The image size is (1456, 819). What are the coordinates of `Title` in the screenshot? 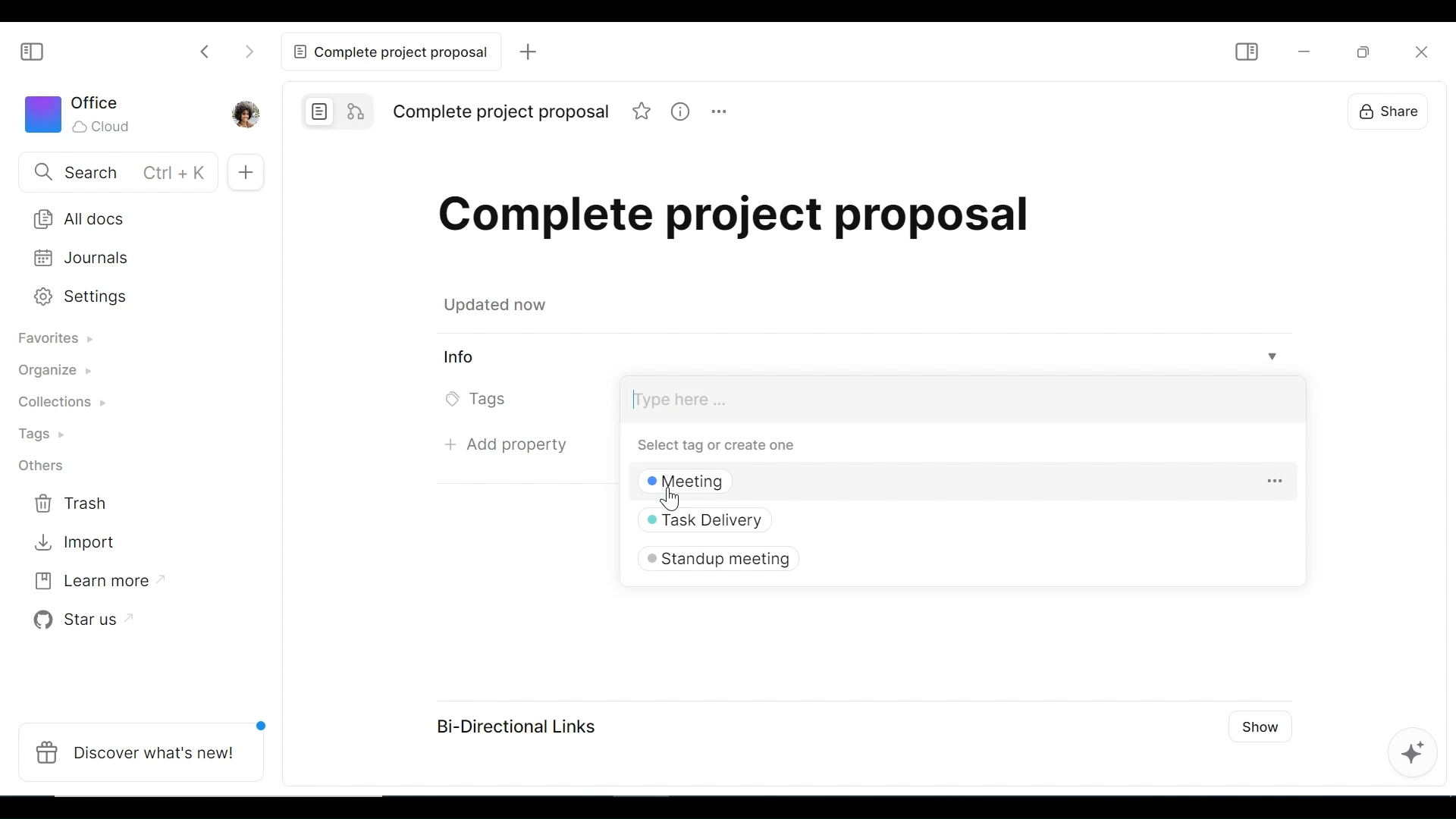 It's located at (736, 214).